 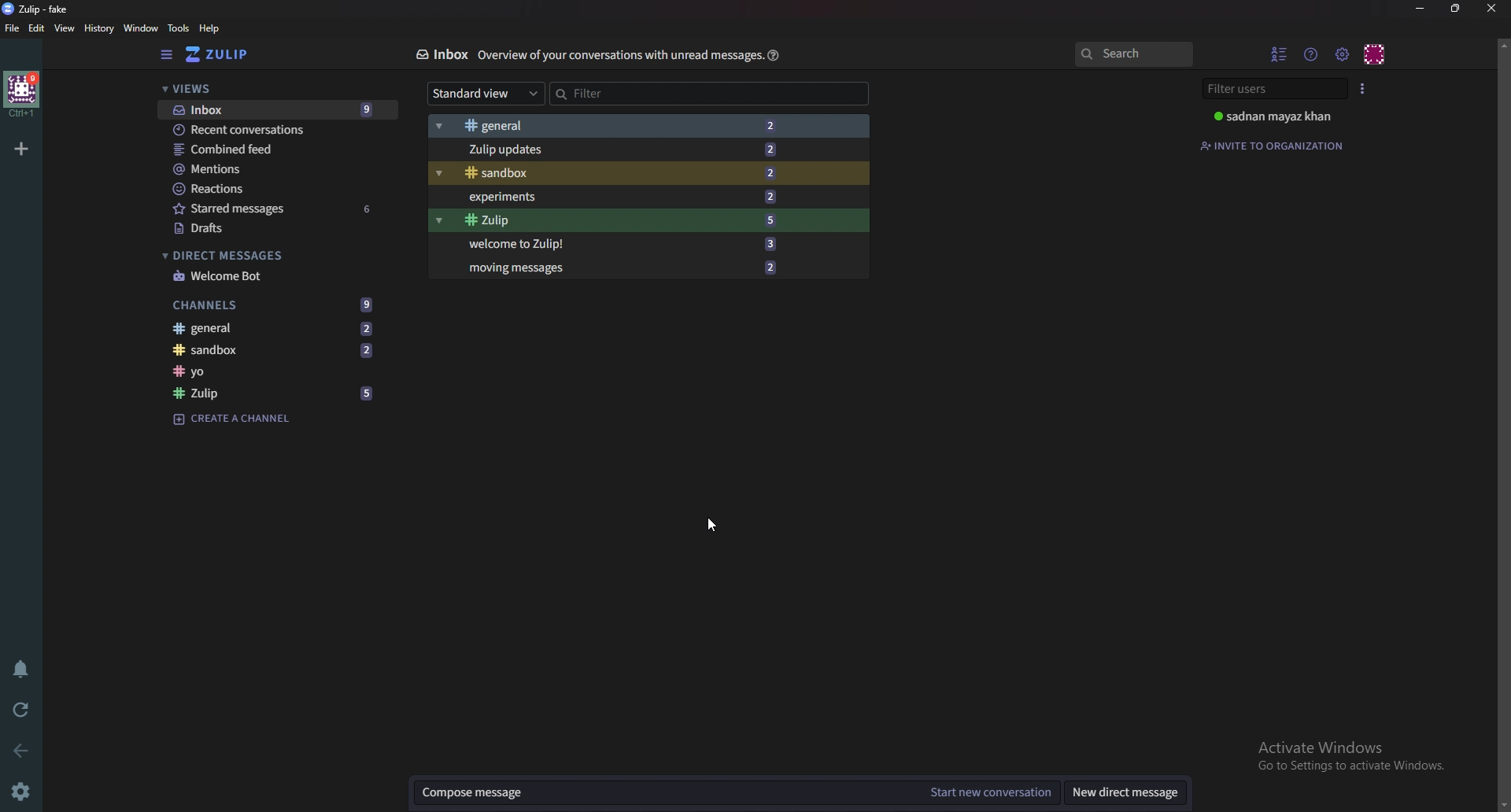 I want to click on General, so click(x=615, y=125).